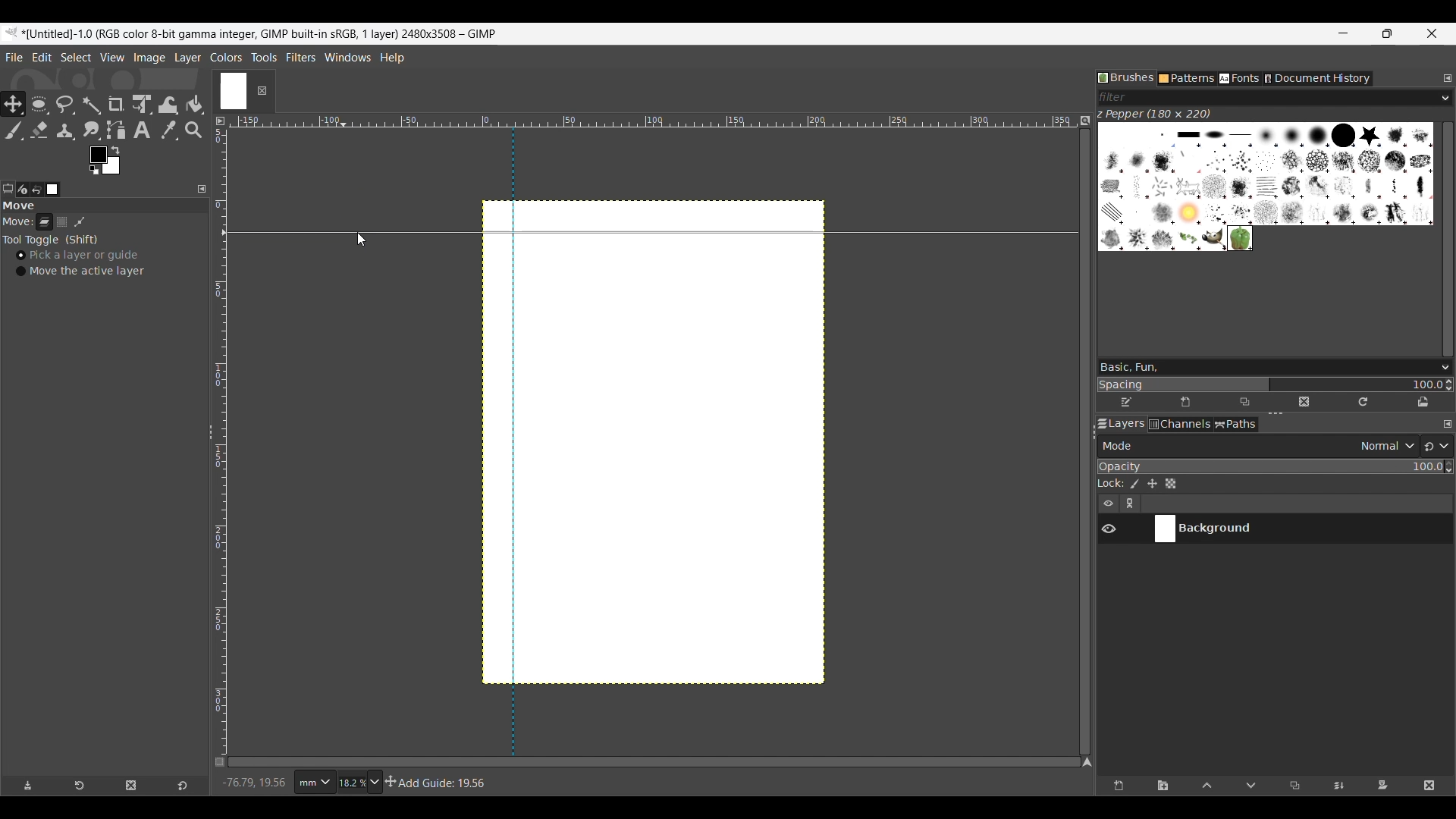  Describe the element at coordinates (14, 58) in the screenshot. I see `File menu` at that location.